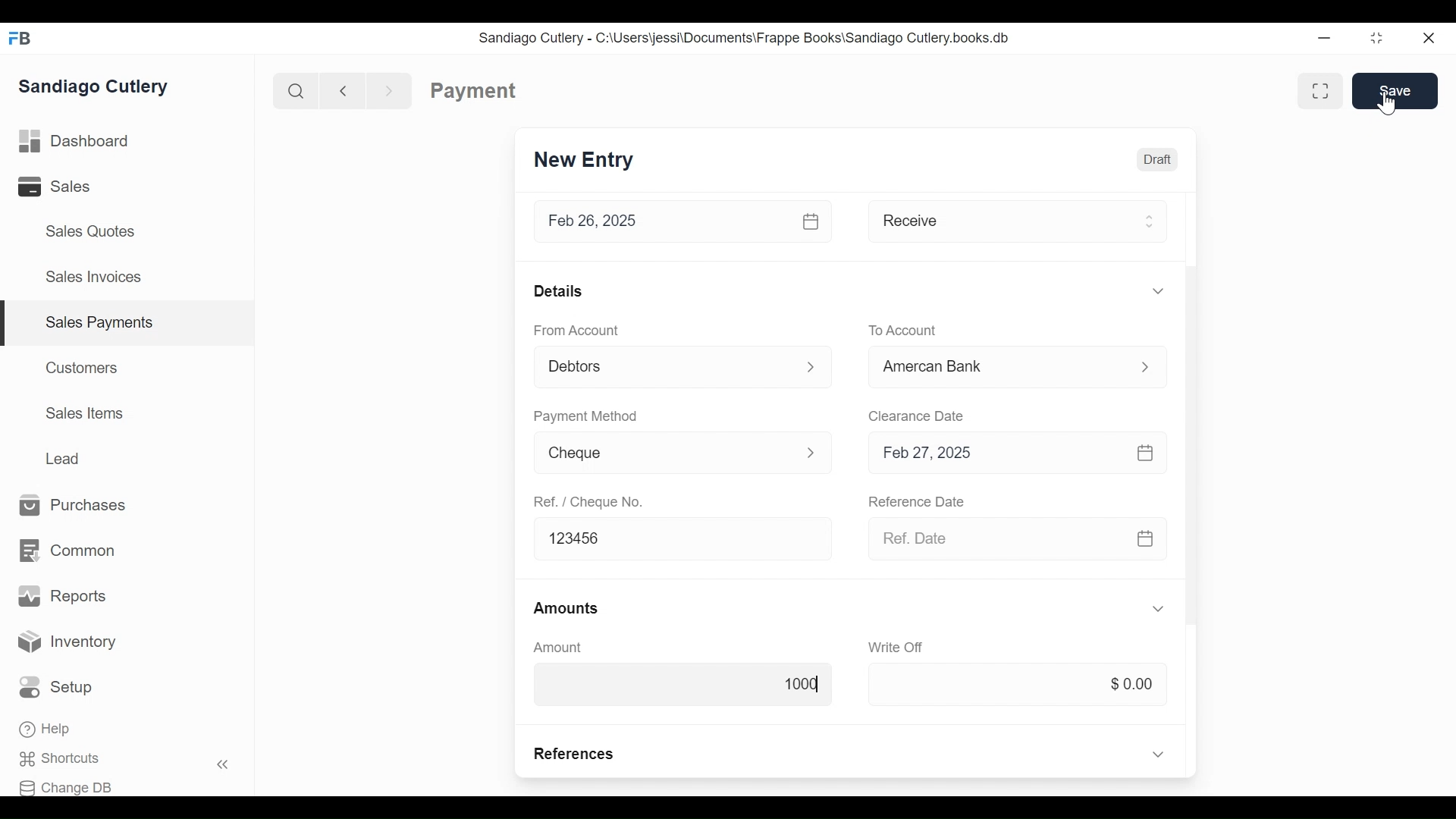 Image resolution: width=1456 pixels, height=819 pixels. I want to click on Payment, so click(474, 91).